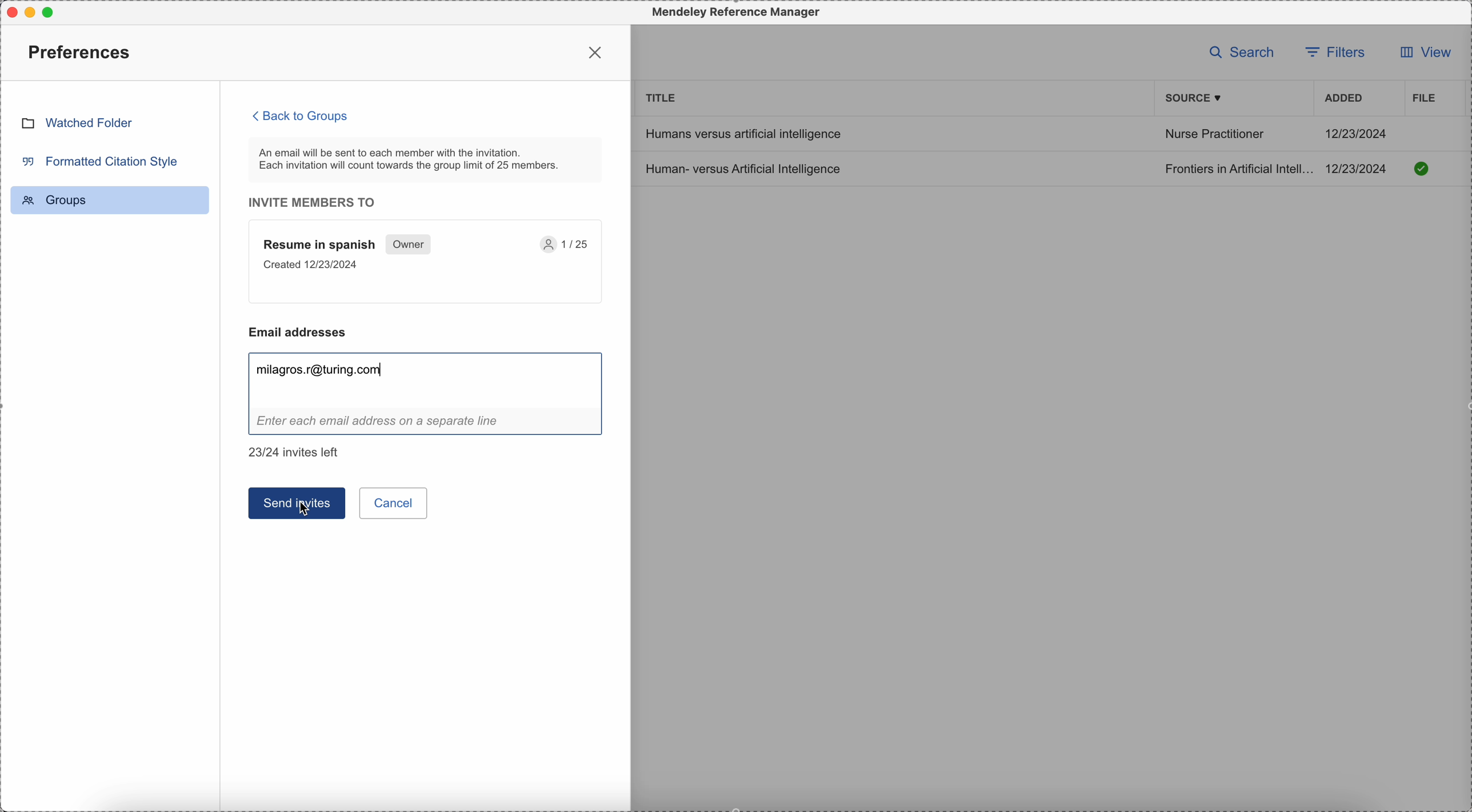 This screenshot has width=1472, height=812. I want to click on 24/24 invites left, so click(297, 452).